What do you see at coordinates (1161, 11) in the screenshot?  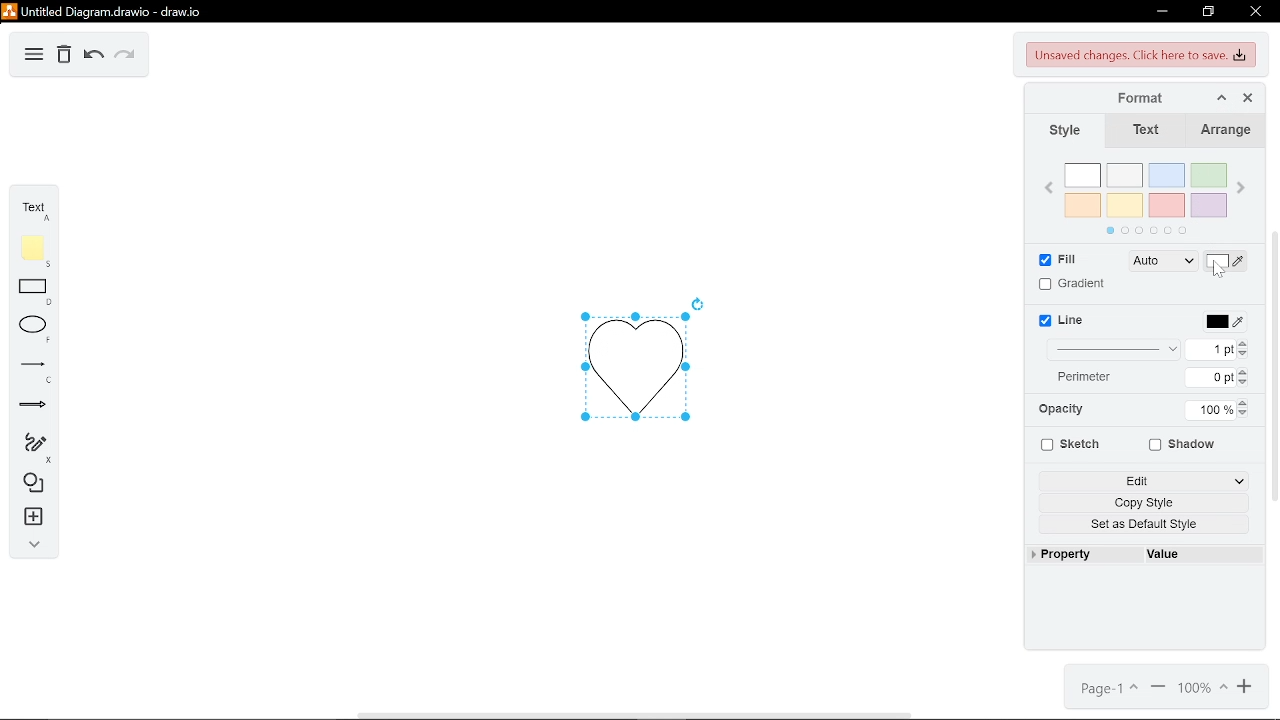 I see `minimize` at bounding box center [1161, 11].